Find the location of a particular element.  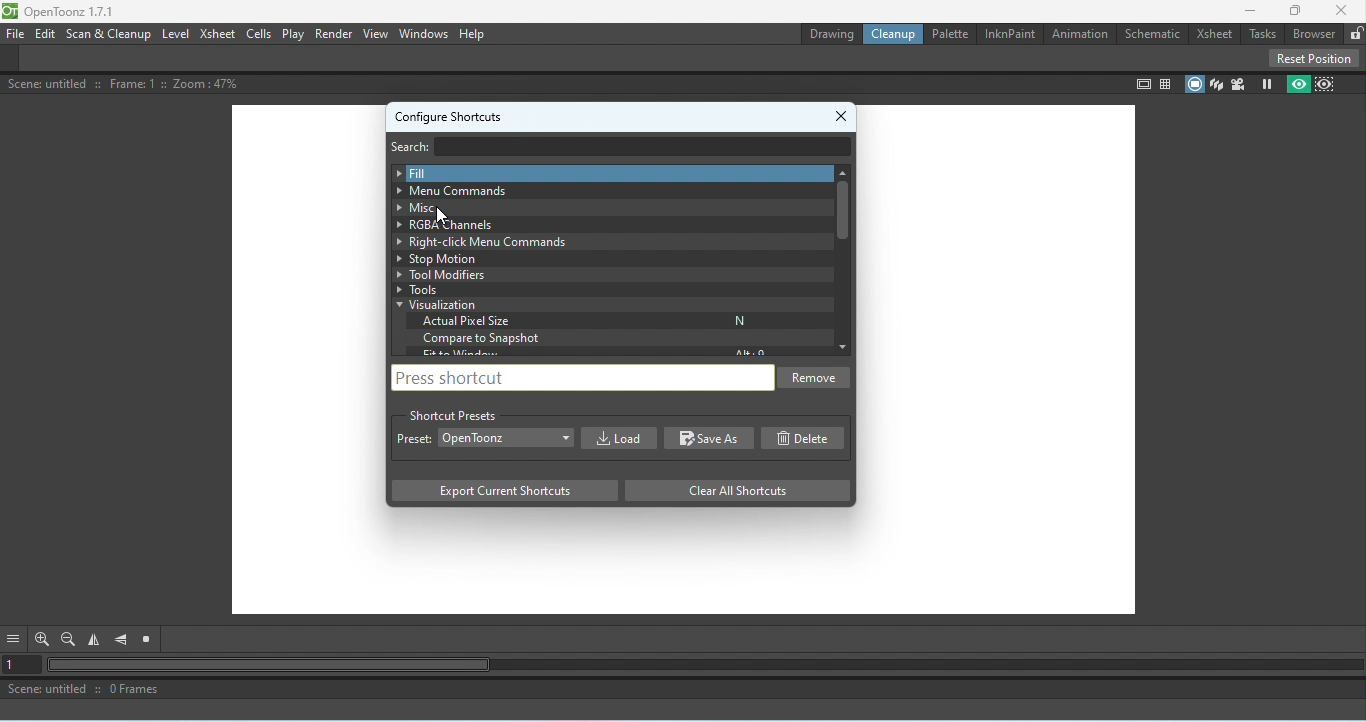

Actual pixel size is located at coordinates (596, 322).